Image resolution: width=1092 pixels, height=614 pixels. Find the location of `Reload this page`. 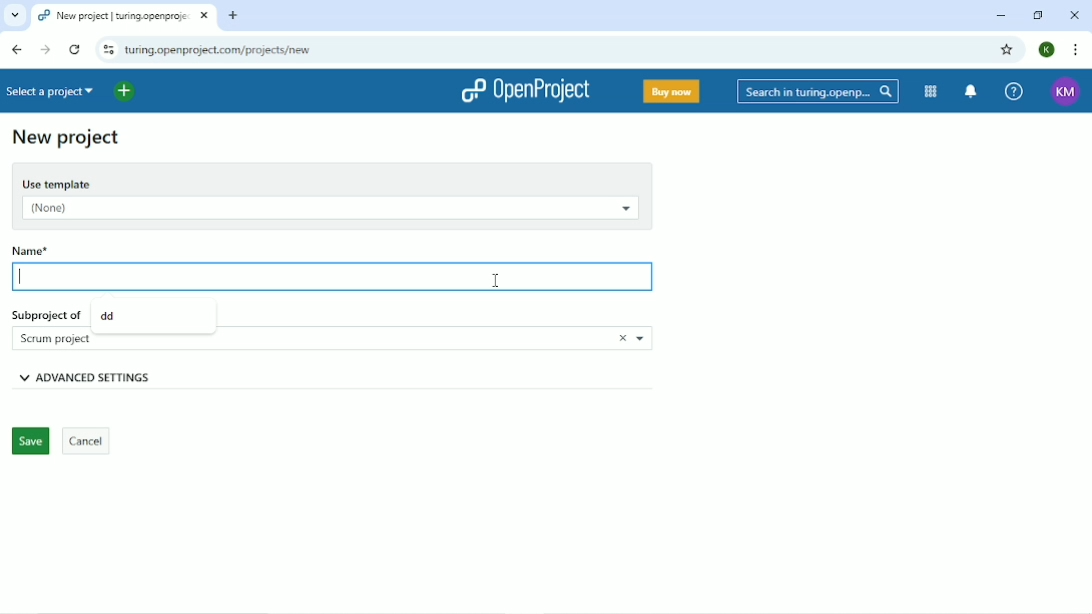

Reload this page is located at coordinates (74, 49).